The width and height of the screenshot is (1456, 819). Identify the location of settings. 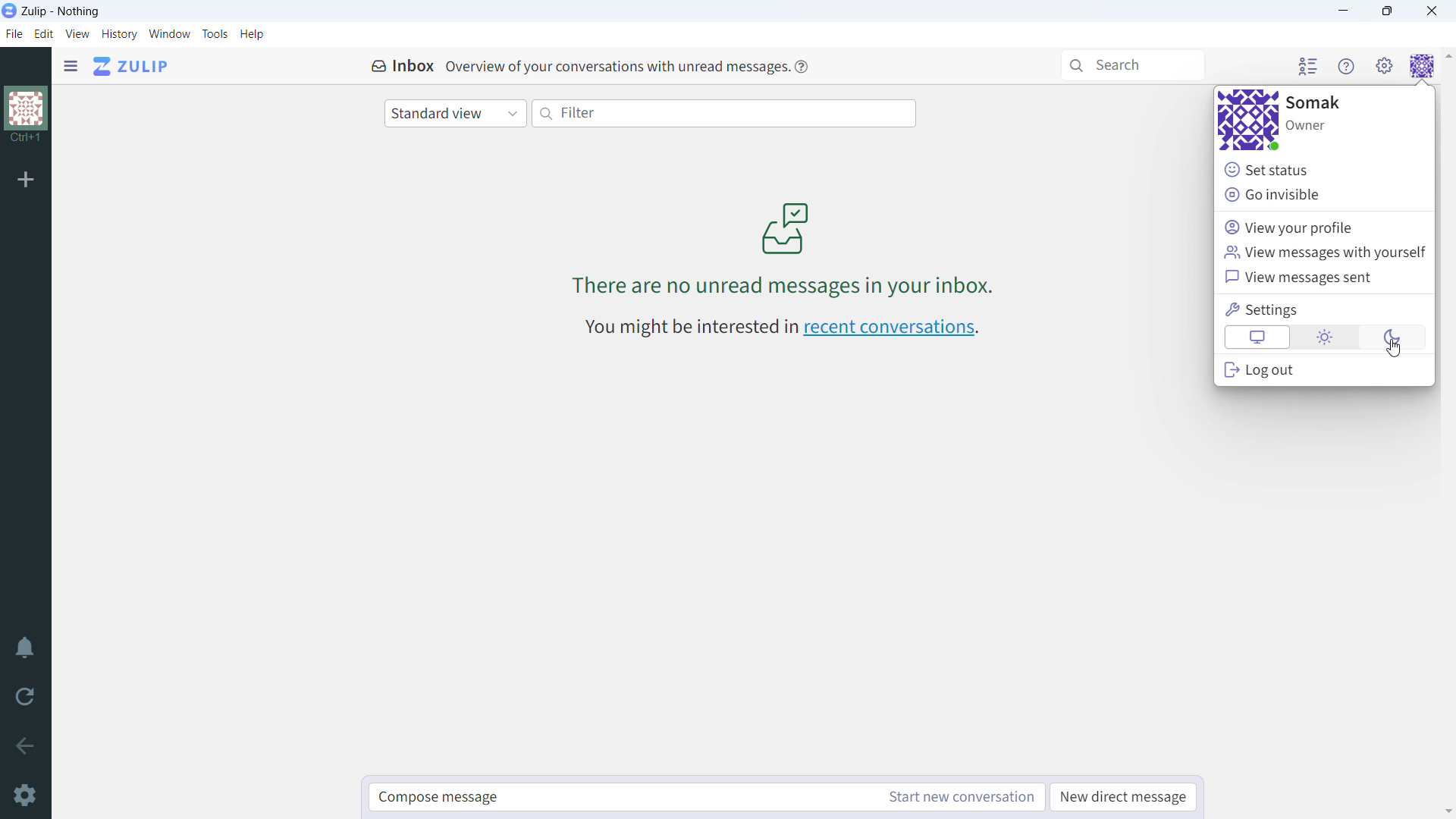
(30, 795).